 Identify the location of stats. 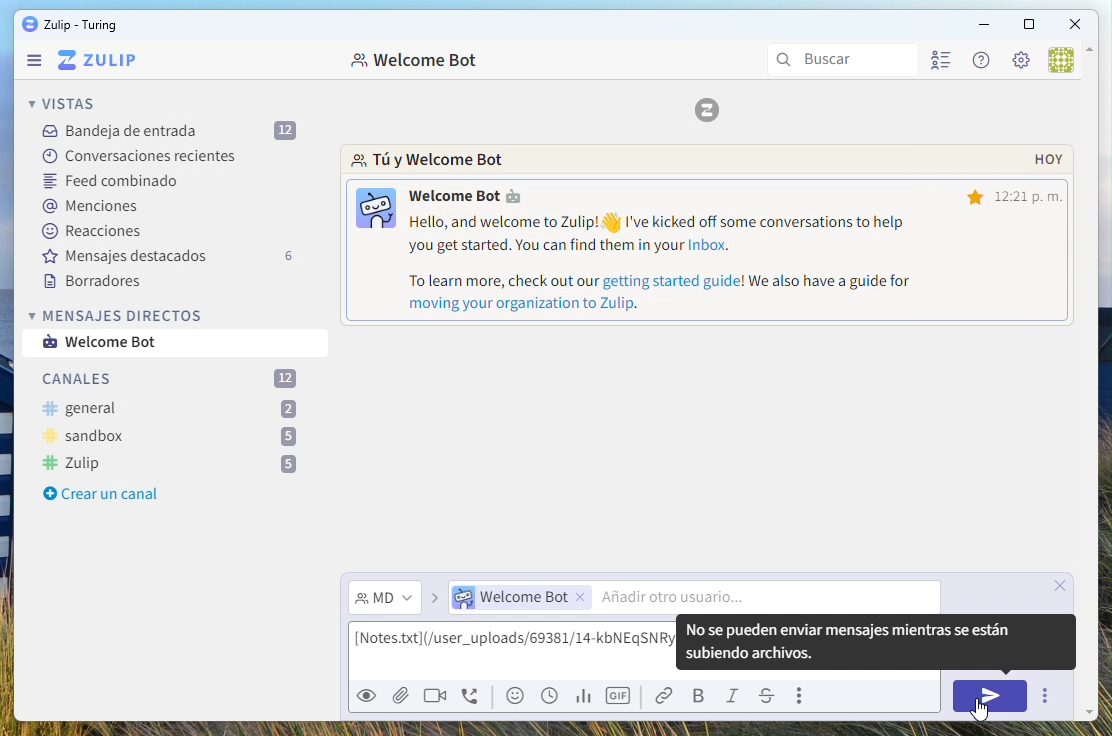
(582, 697).